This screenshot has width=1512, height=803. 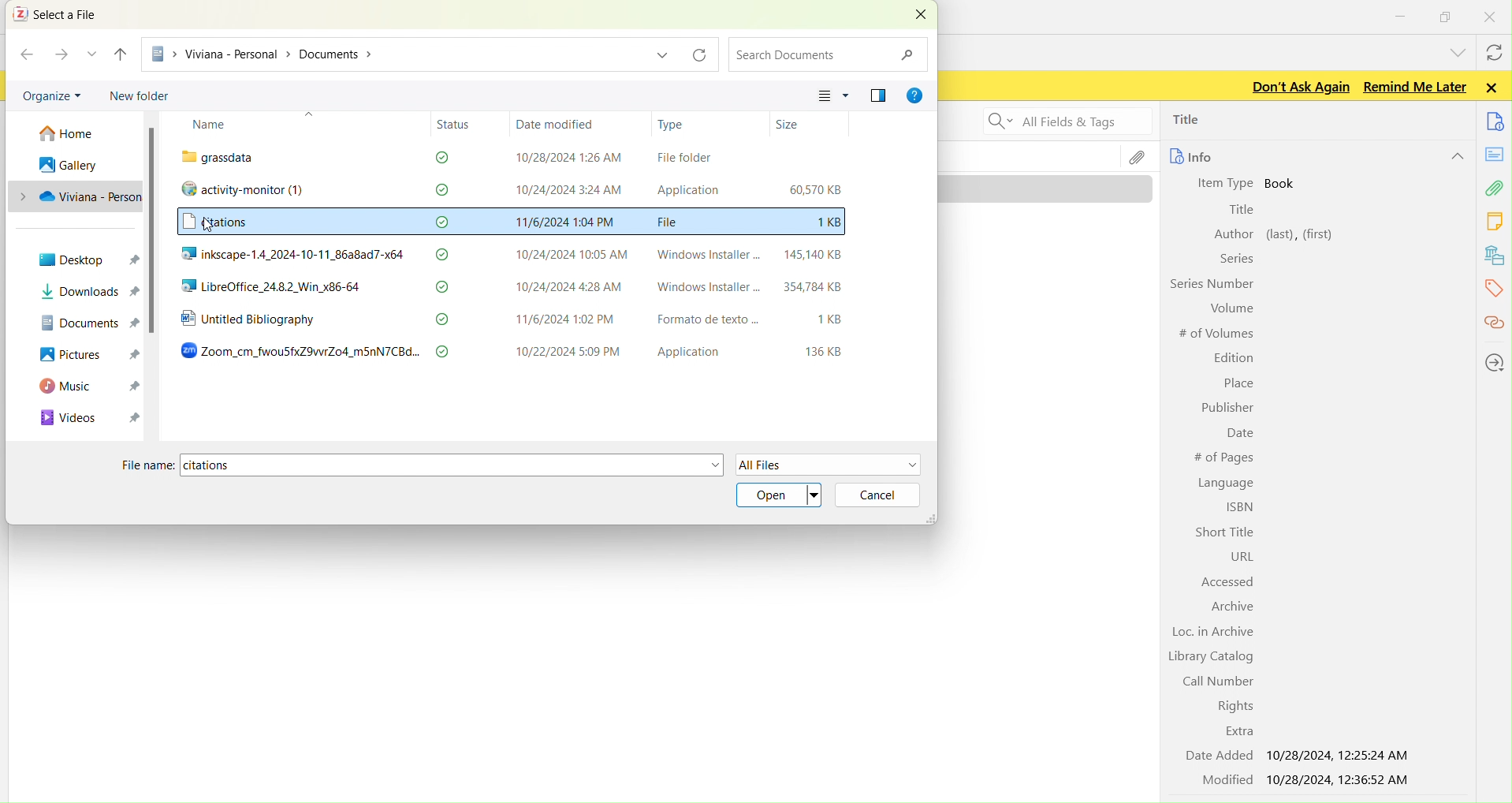 I want to click on Formato de texto ..., so click(x=706, y=319).